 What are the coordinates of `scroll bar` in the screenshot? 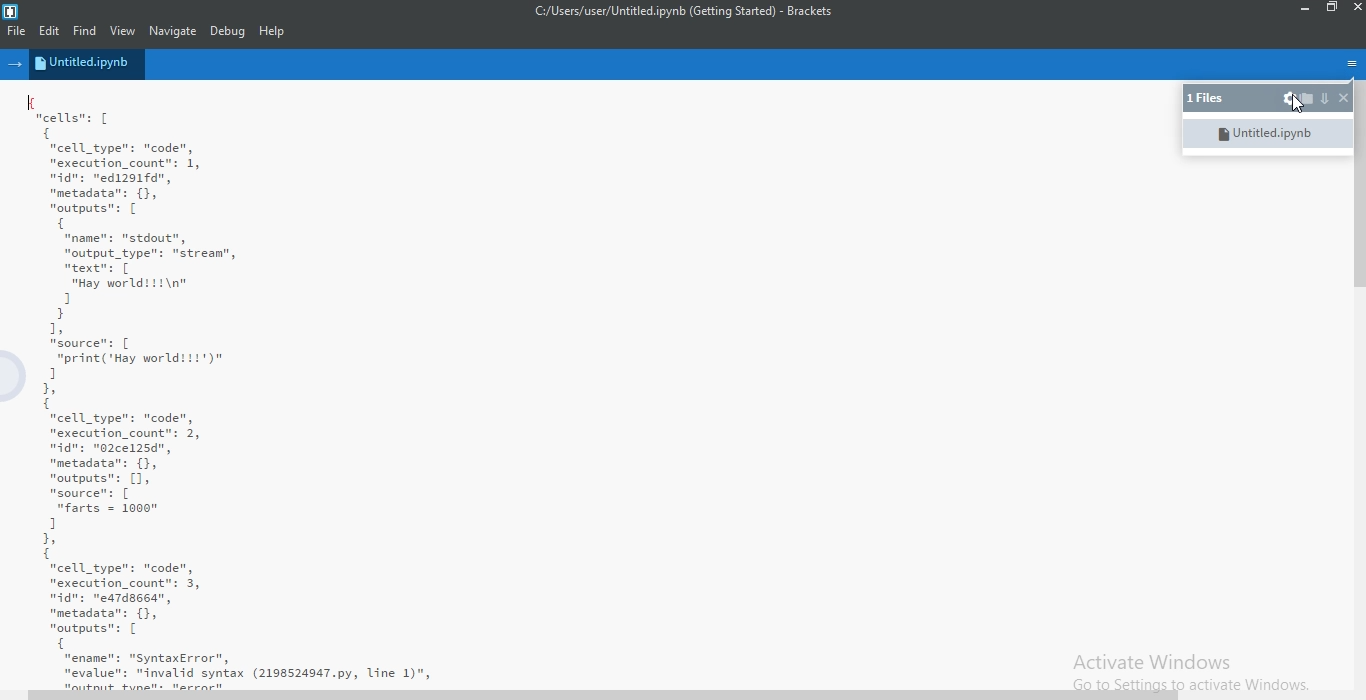 It's located at (605, 695).